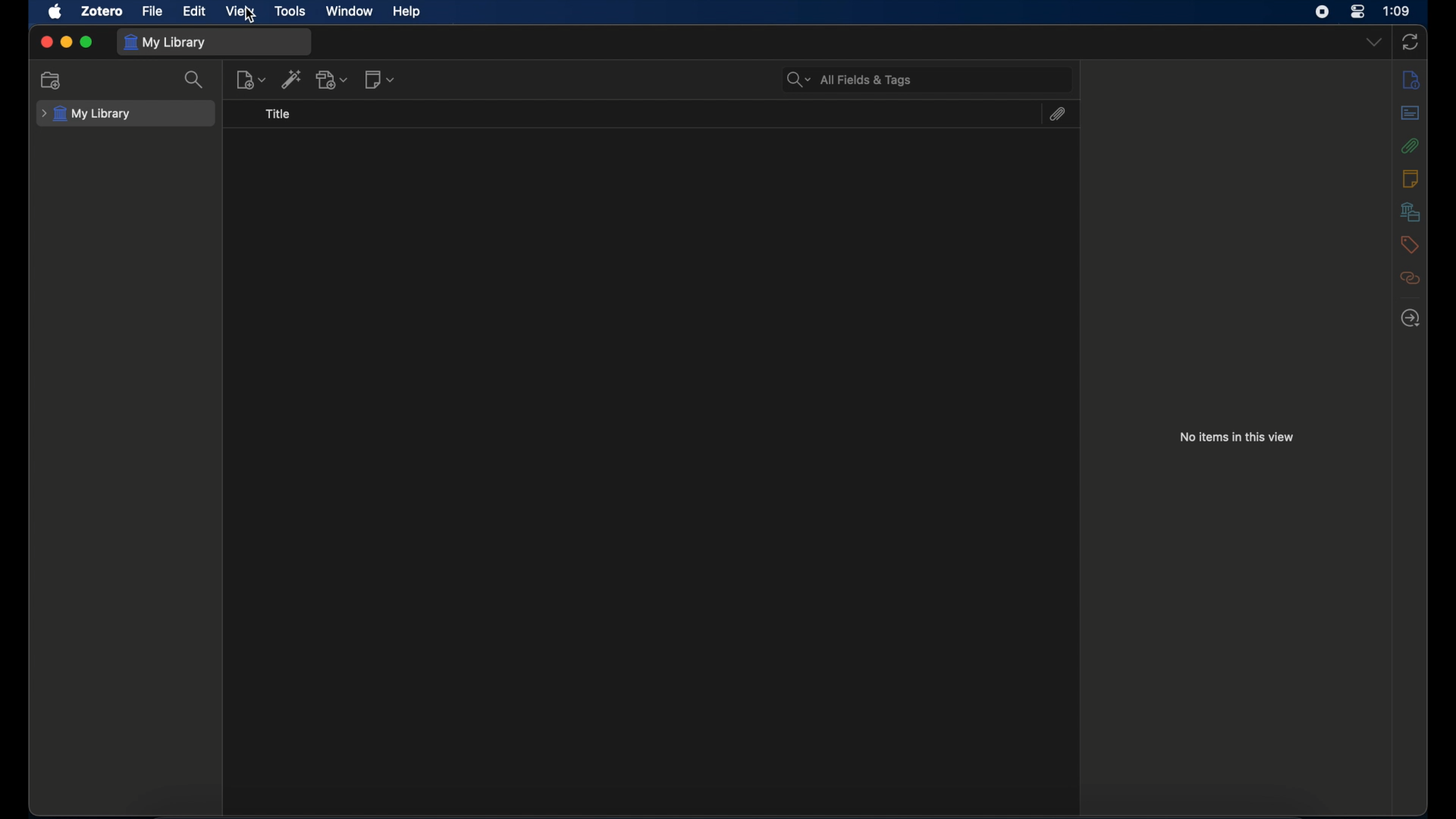  Describe the element at coordinates (1238, 437) in the screenshot. I see `no items in this view` at that location.